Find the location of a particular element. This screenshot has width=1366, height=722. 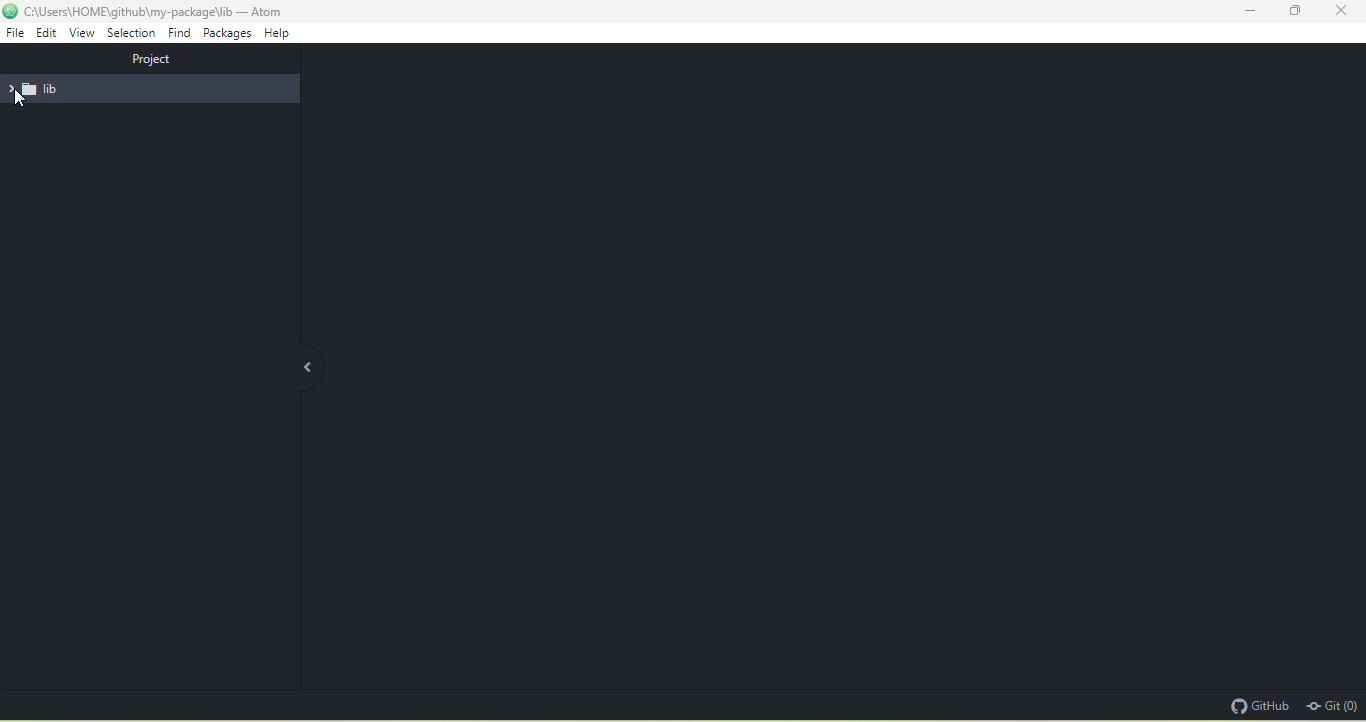

lib is located at coordinates (161, 90).